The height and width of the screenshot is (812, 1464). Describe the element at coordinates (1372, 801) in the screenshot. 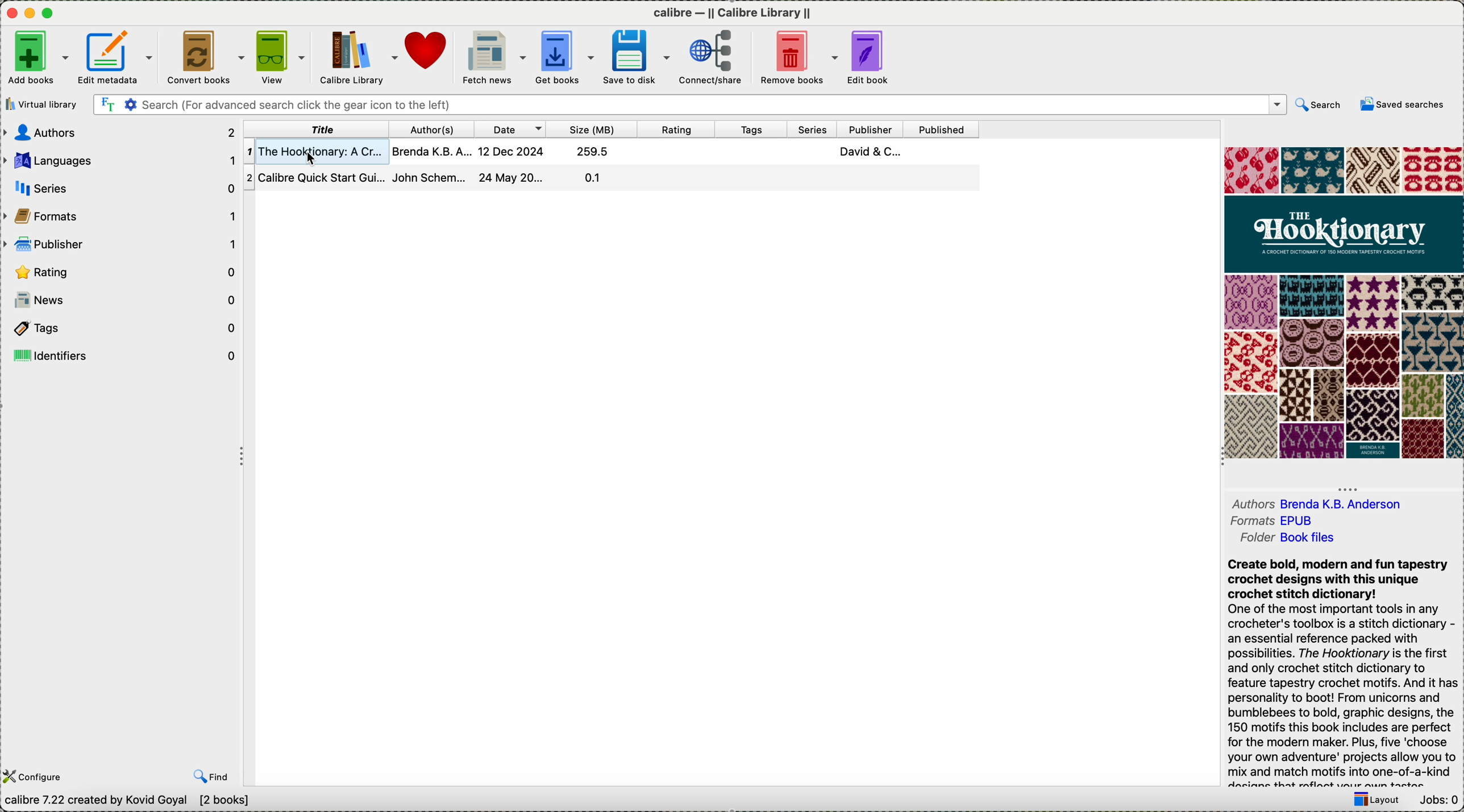

I see `layout` at that location.